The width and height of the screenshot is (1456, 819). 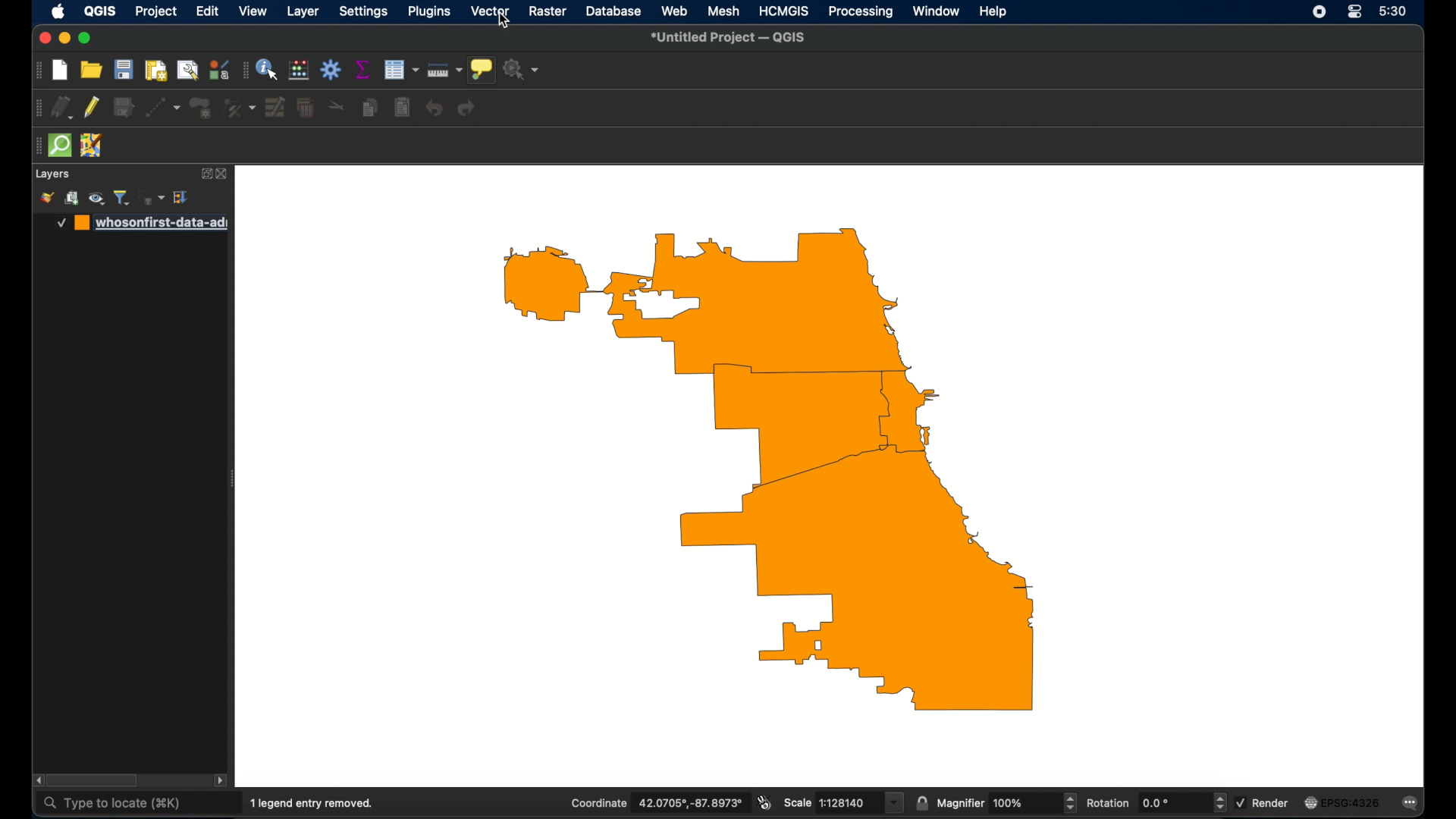 I want to click on delete selected, so click(x=306, y=106).